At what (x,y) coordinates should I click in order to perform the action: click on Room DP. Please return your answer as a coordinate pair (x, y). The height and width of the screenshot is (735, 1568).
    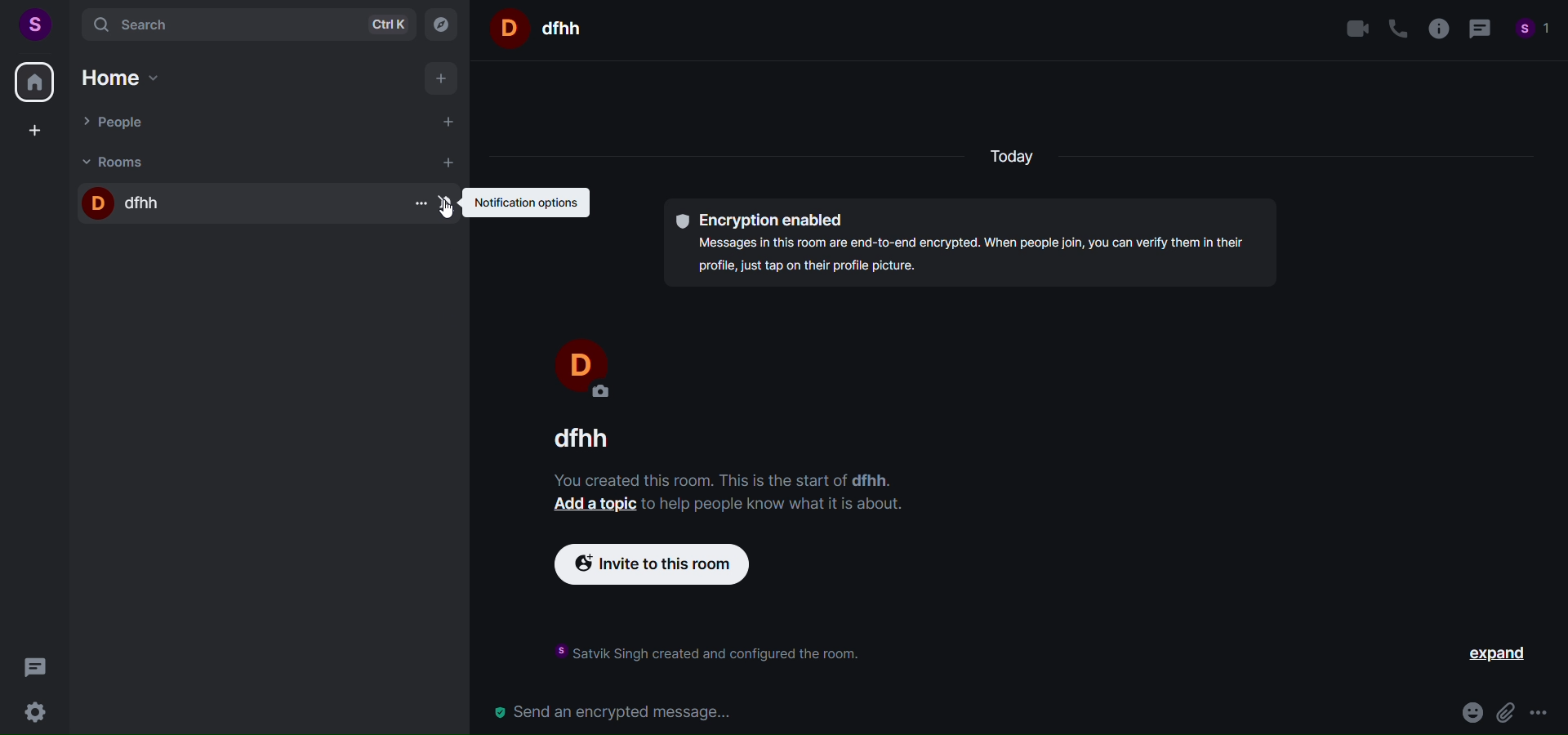
    Looking at the image, I should click on (506, 28).